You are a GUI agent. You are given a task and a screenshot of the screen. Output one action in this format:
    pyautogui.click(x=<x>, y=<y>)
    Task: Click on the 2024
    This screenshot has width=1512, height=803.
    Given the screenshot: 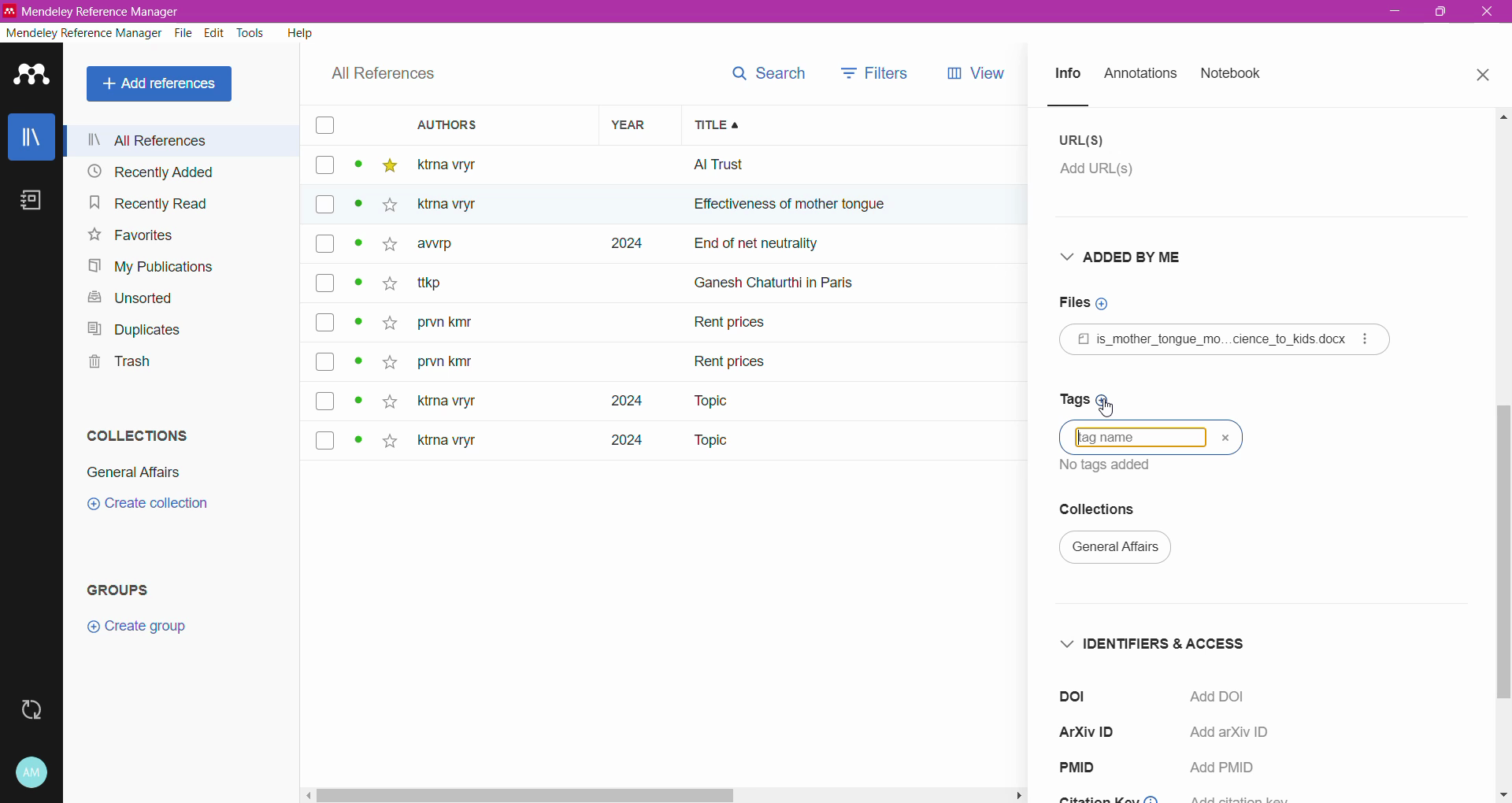 What is the action you would take?
    pyautogui.click(x=613, y=401)
    